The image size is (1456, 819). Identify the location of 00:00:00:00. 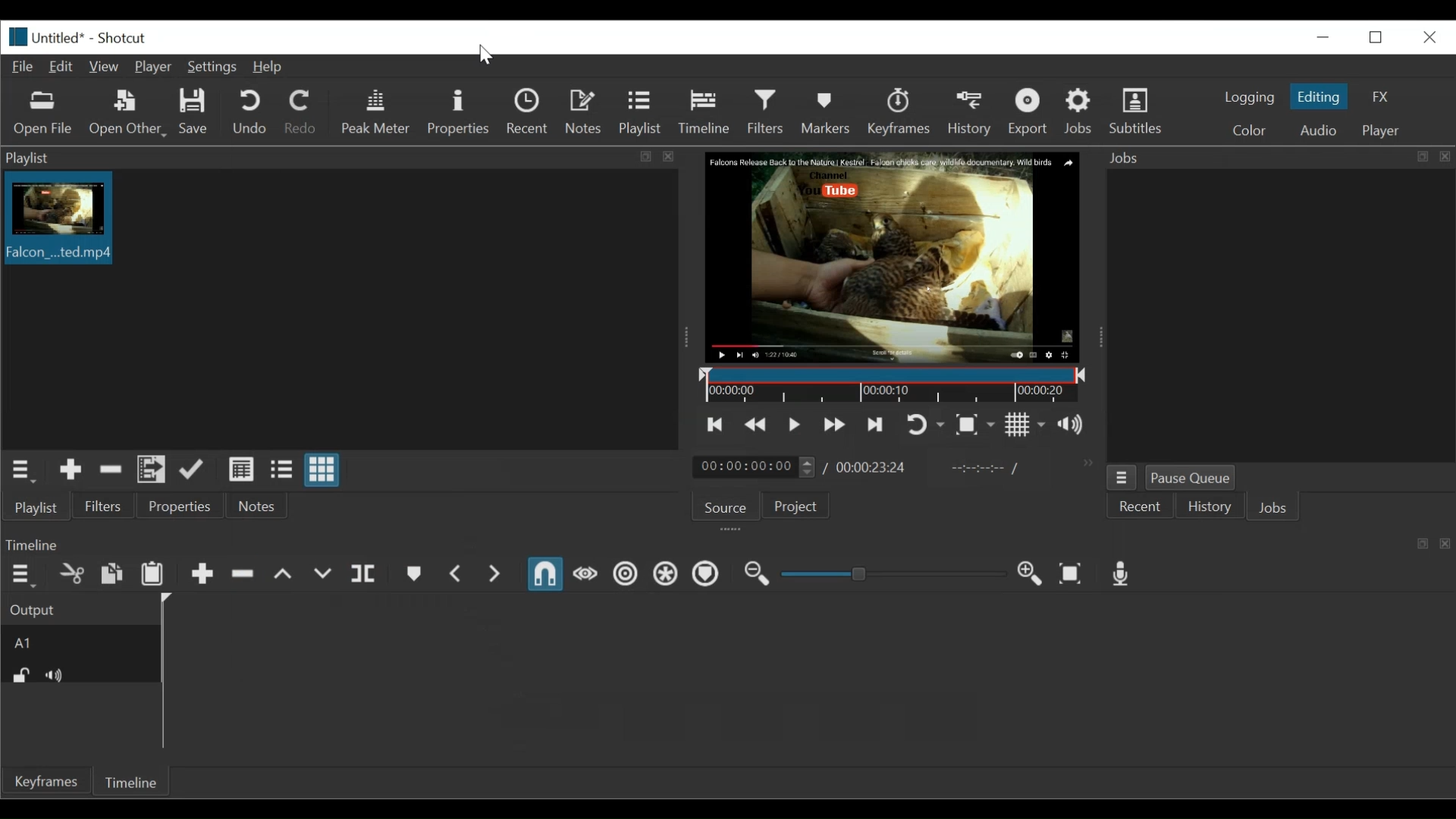
(754, 466).